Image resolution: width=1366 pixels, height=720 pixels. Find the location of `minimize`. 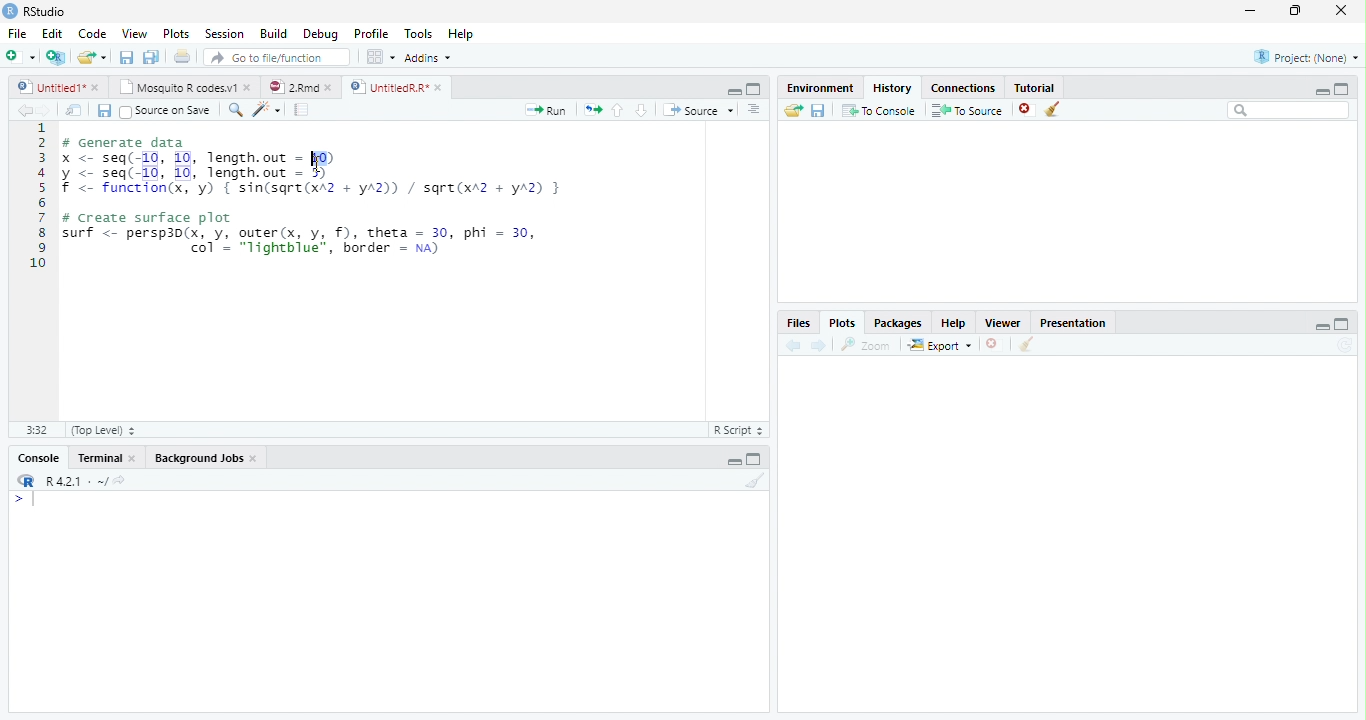

minimize is located at coordinates (1322, 327).